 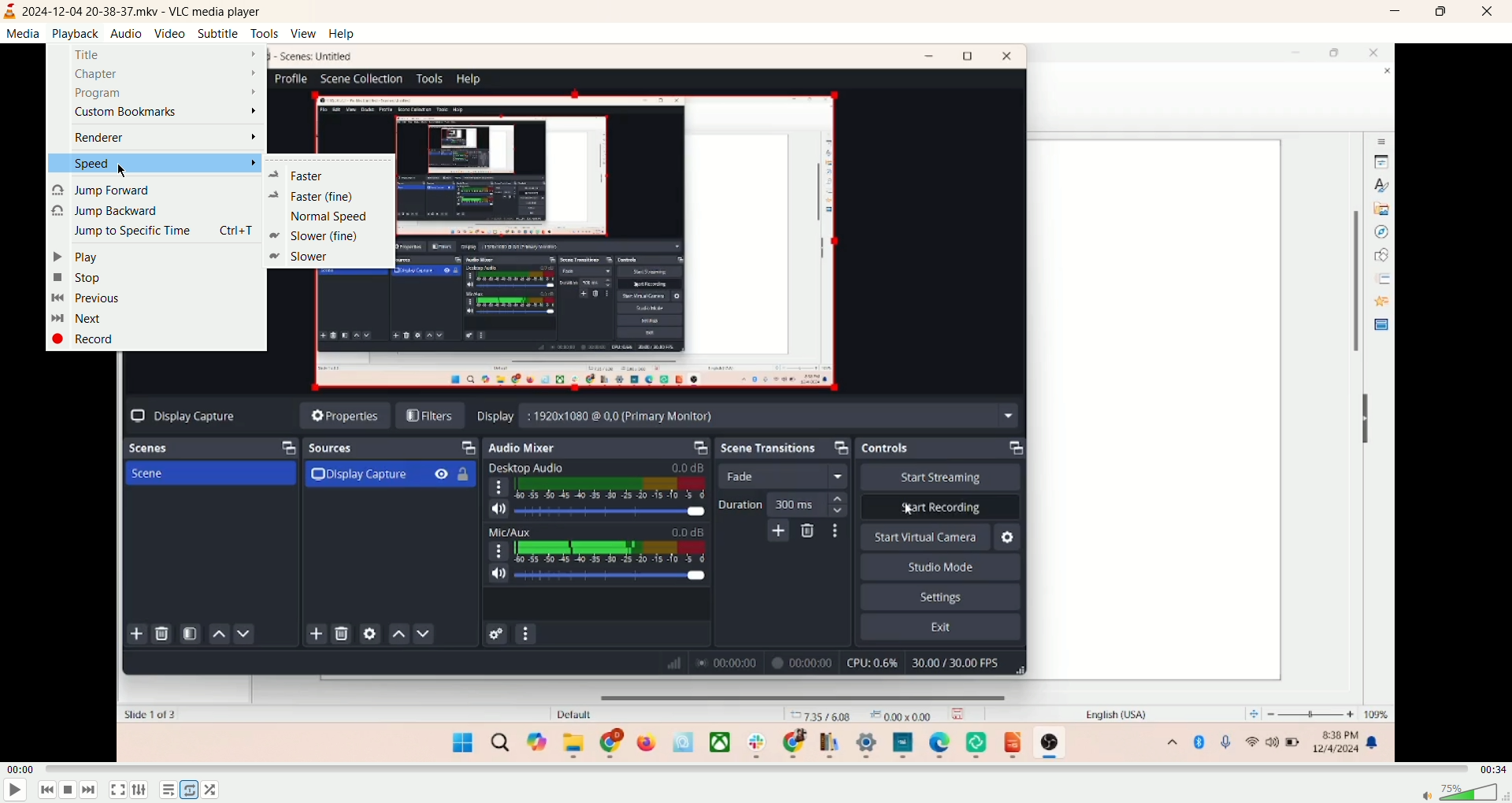 What do you see at coordinates (302, 257) in the screenshot?
I see `slower` at bounding box center [302, 257].